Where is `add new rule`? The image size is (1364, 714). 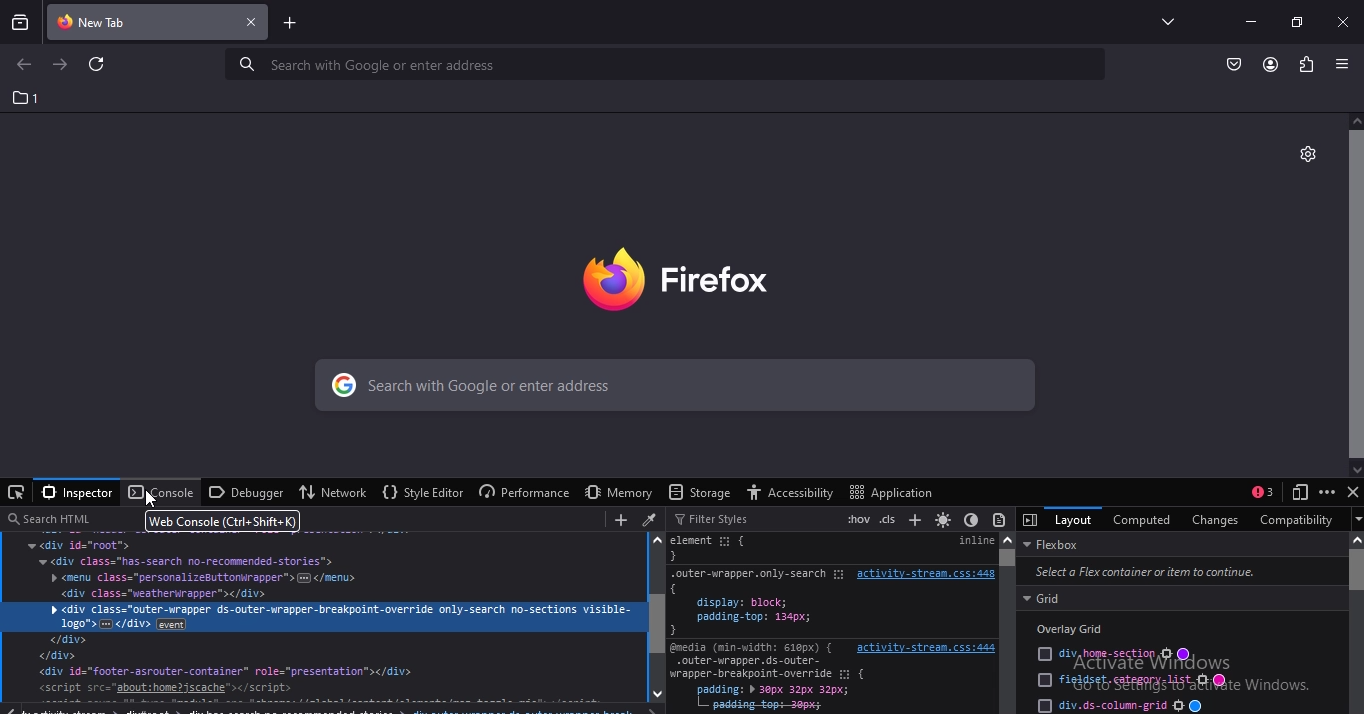 add new rule is located at coordinates (916, 520).